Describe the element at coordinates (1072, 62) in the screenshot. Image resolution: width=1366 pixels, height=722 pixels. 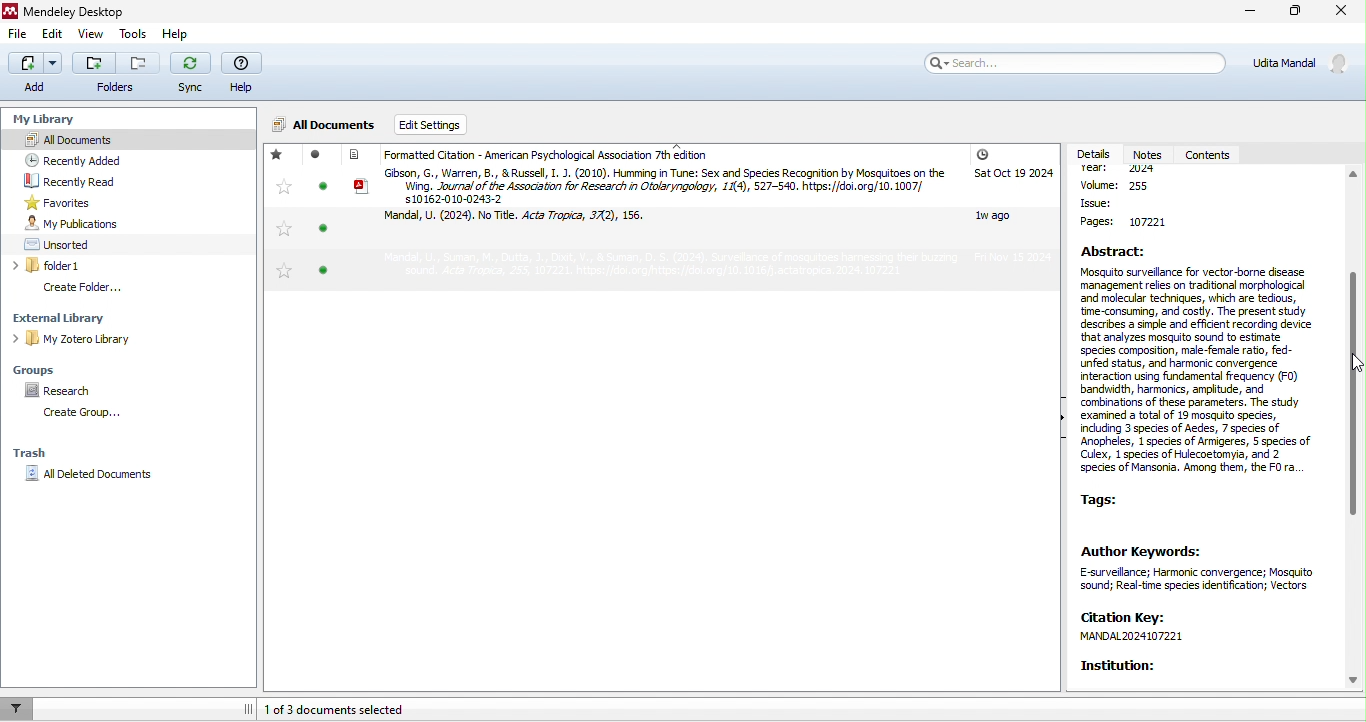
I see `search bar` at that location.